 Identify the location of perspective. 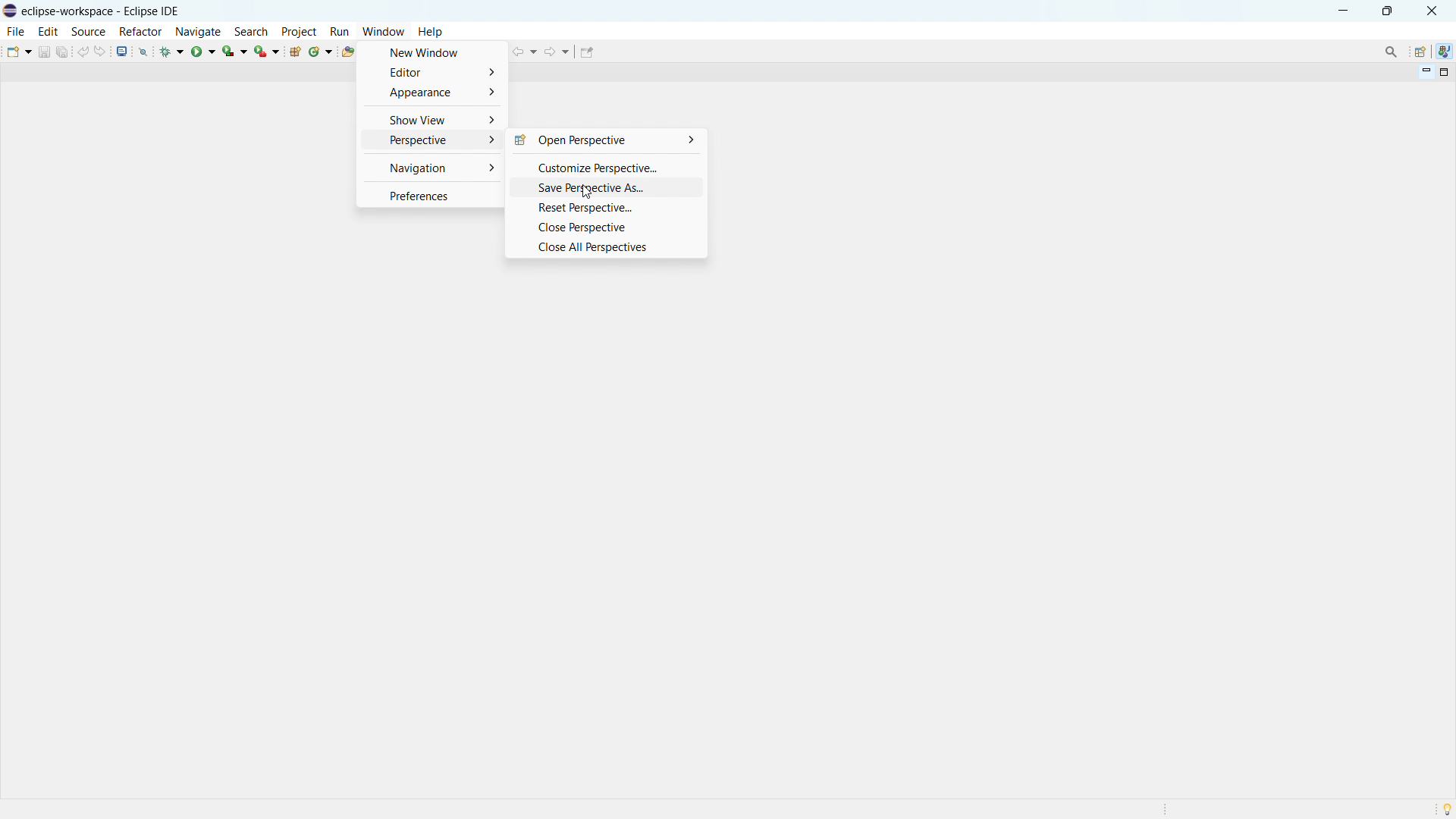
(431, 142).